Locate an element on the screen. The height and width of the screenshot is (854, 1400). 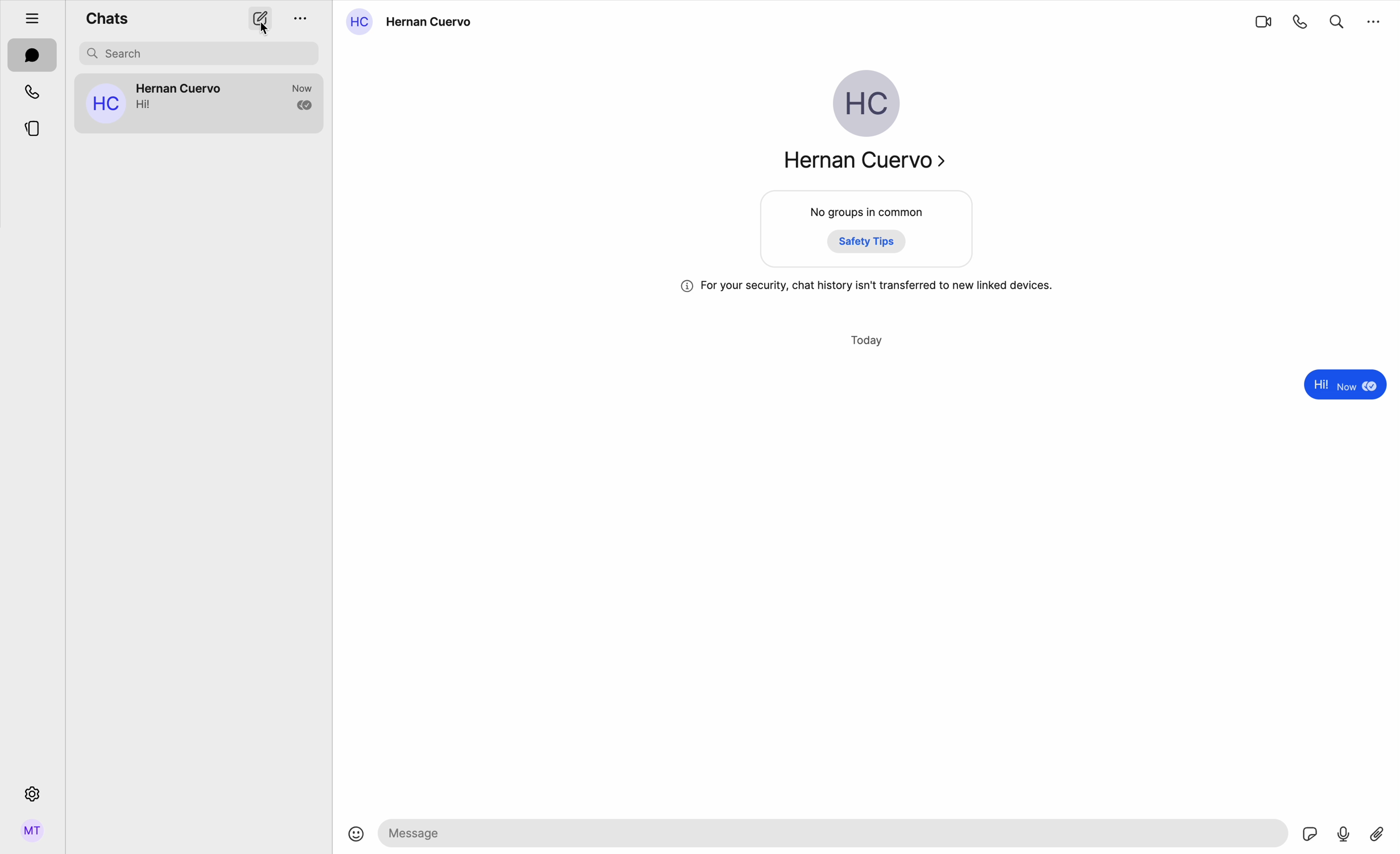
settings is located at coordinates (31, 793).